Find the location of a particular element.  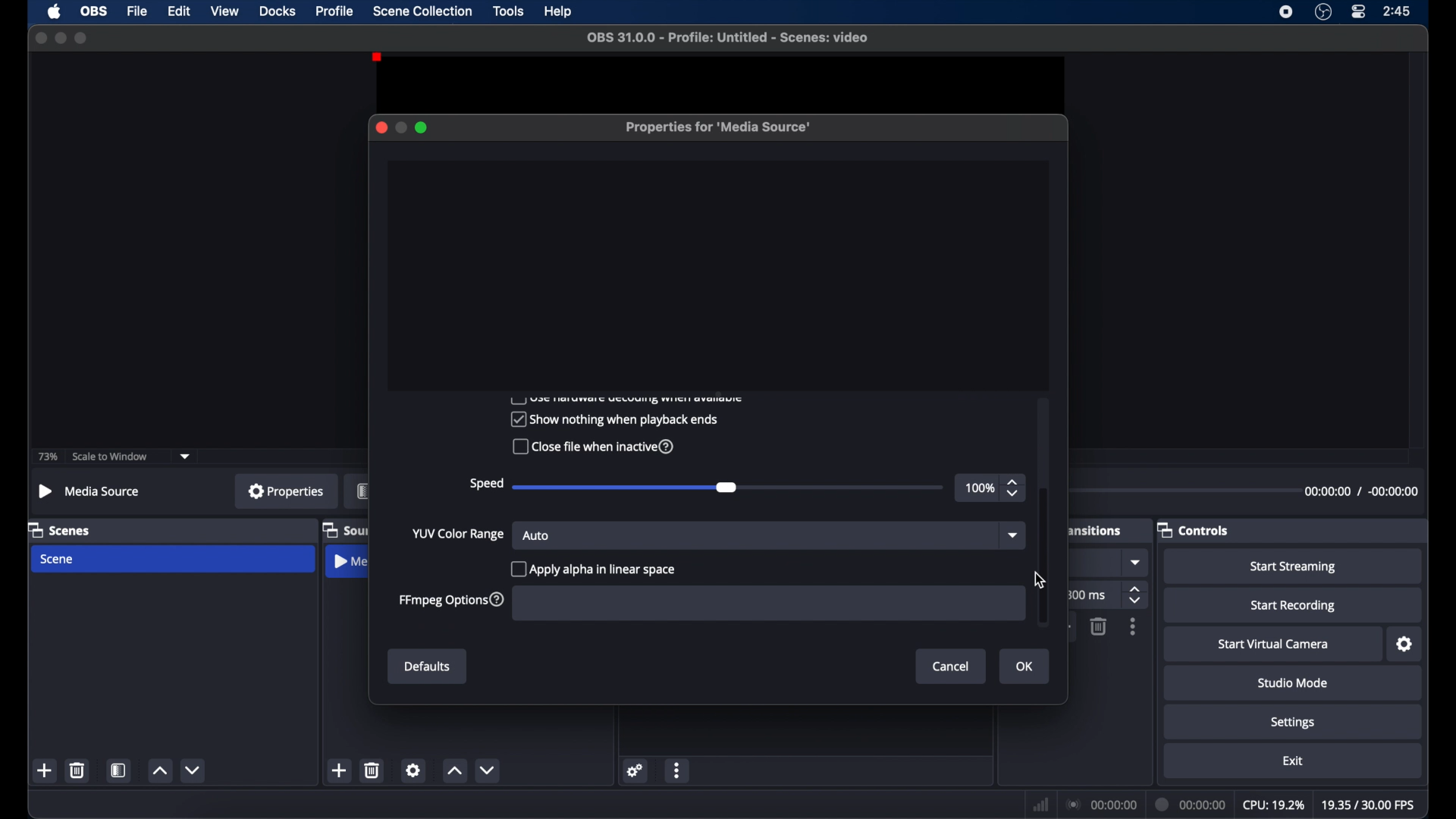

studio mode is located at coordinates (1293, 682).